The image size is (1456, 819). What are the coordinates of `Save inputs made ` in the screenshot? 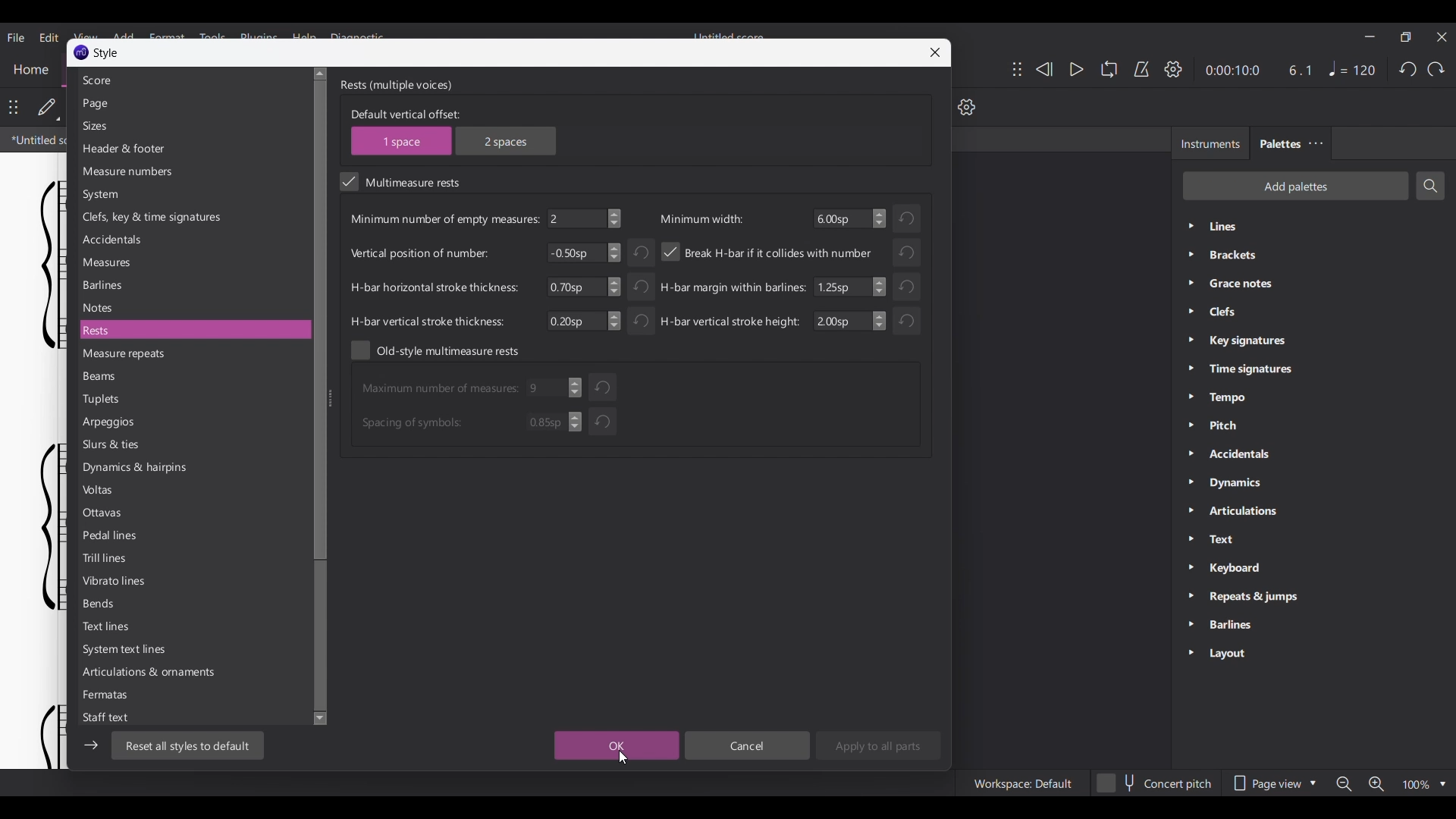 It's located at (617, 746).